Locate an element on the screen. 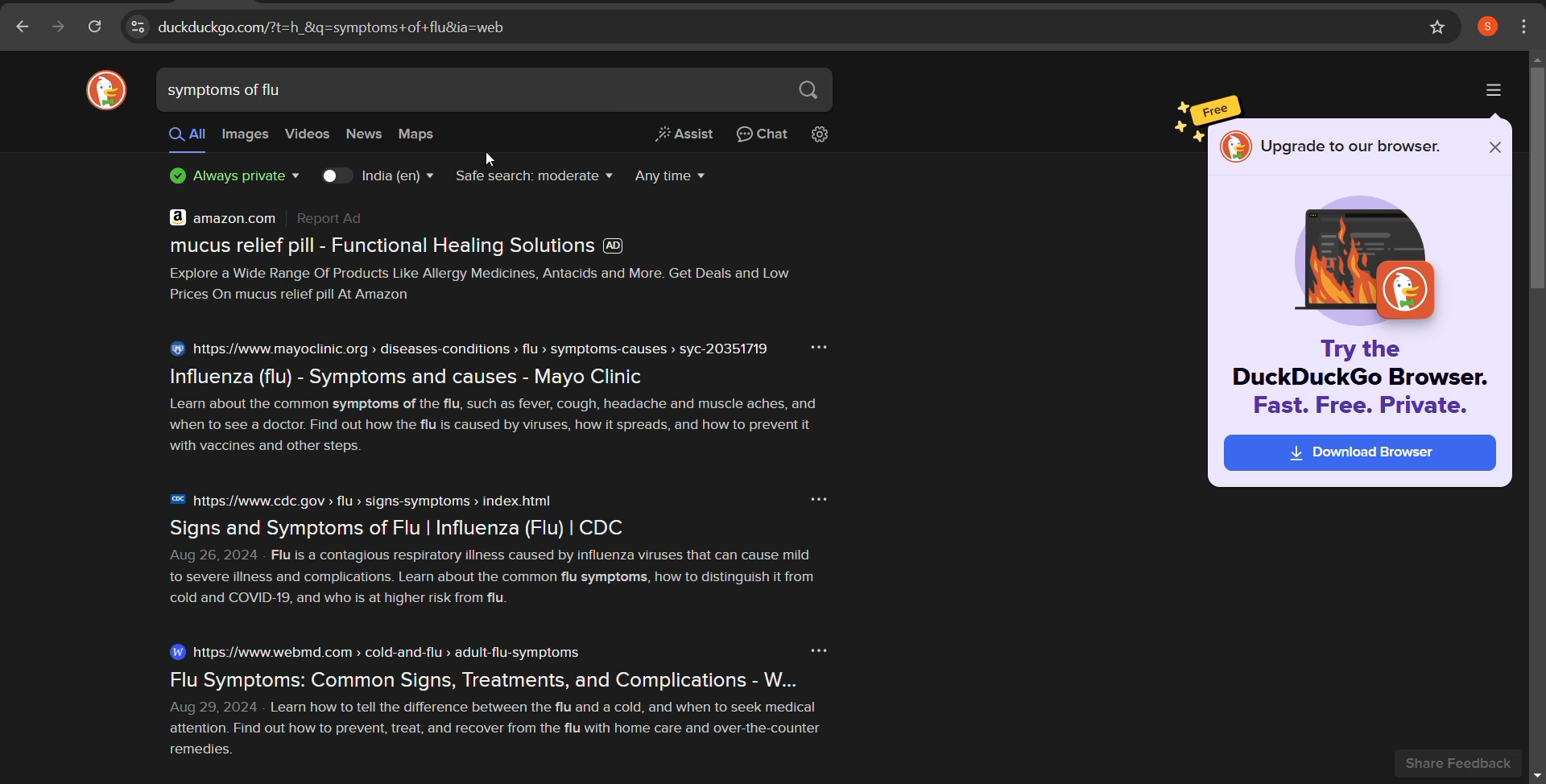 Image resolution: width=1546 pixels, height=784 pixels. web address is located at coordinates (756, 27).